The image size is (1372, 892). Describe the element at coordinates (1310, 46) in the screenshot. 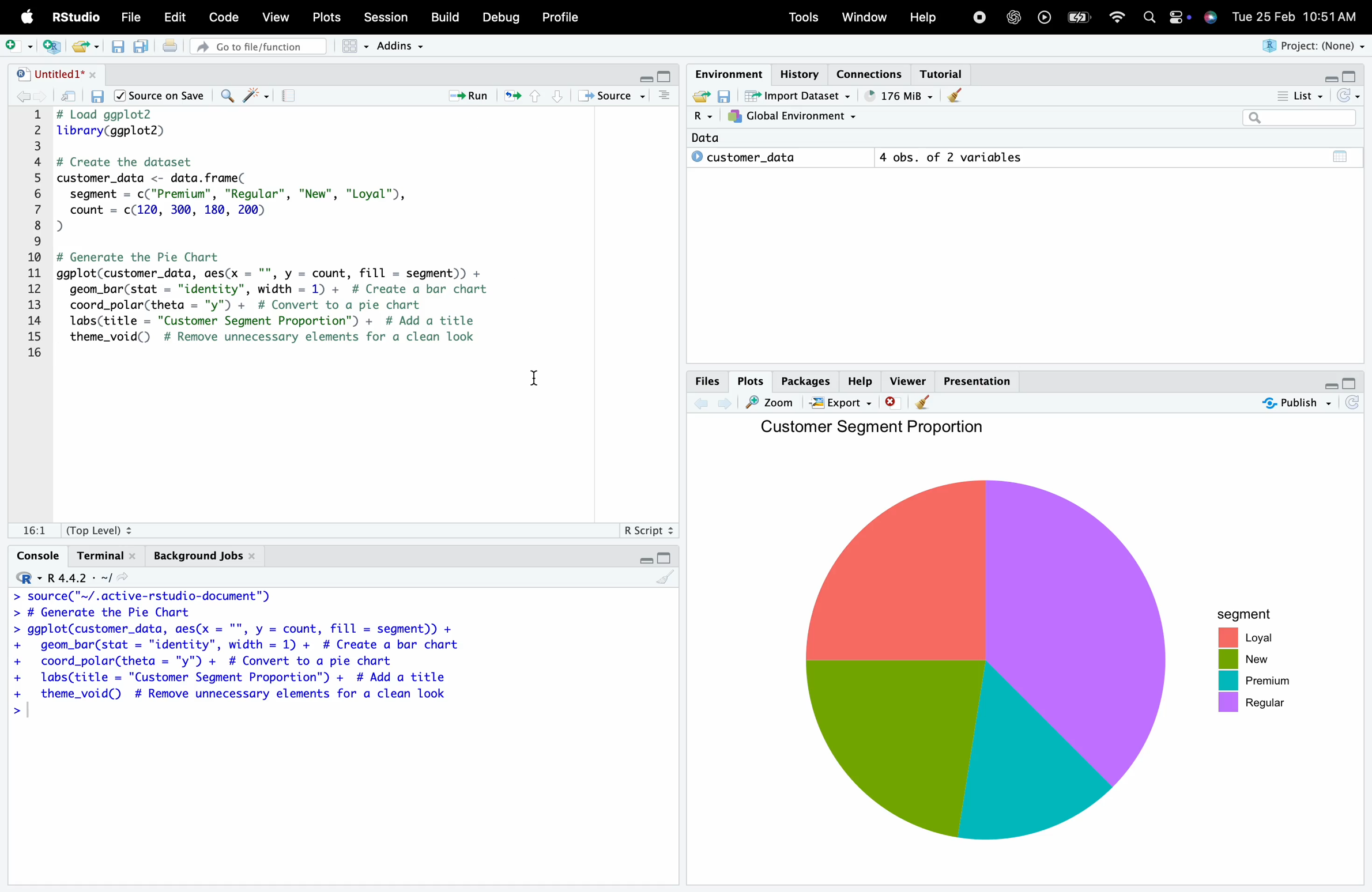

I see `Project: (None)` at that location.